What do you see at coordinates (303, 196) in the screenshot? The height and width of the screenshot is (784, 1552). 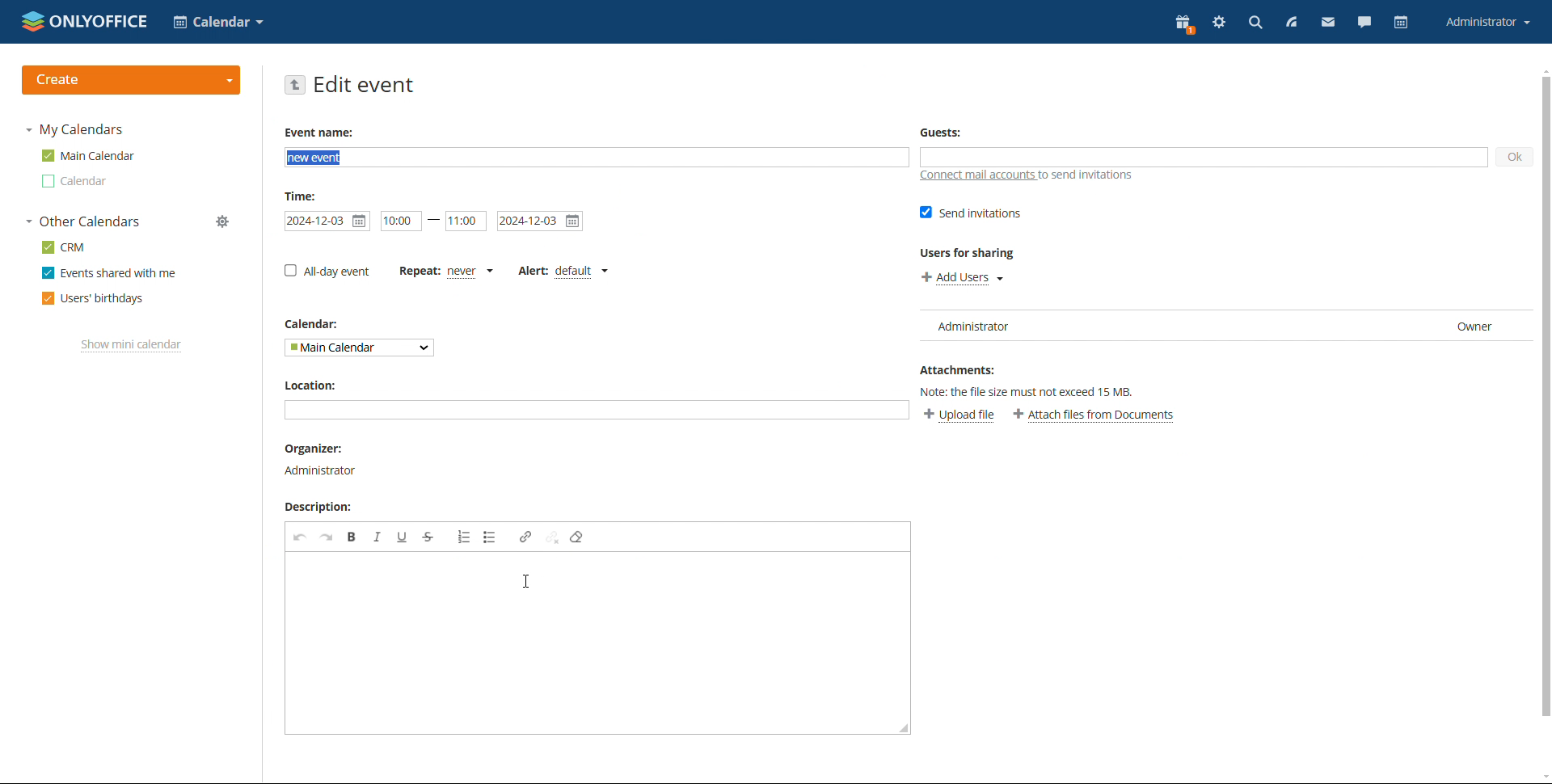 I see `Time:` at bounding box center [303, 196].